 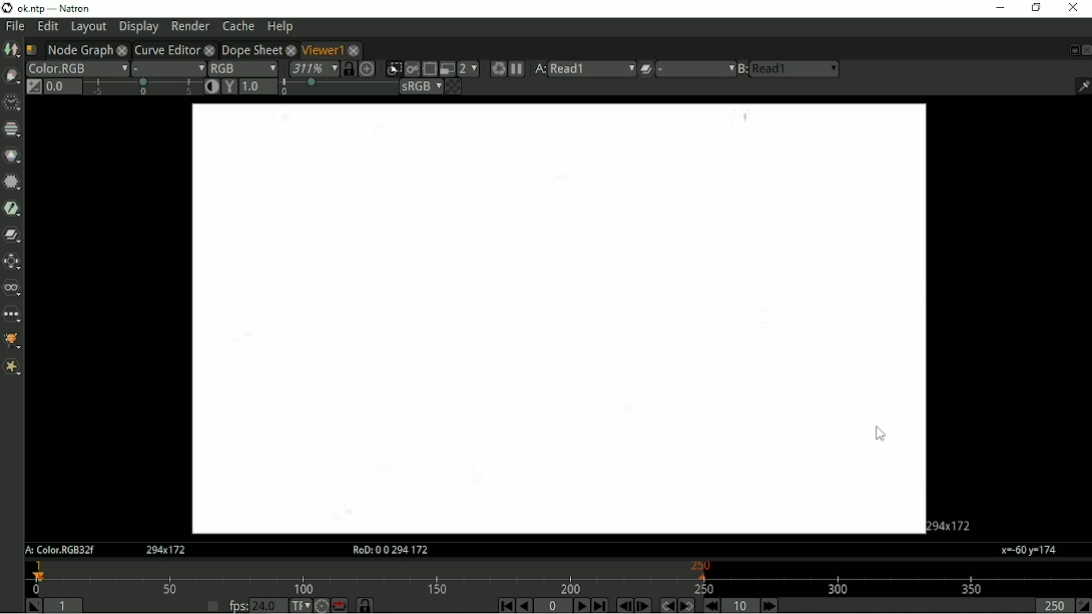 What do you see at coordinates (695, 69) in the screenshot?
I see `menu` at bounding box center [695, 69].